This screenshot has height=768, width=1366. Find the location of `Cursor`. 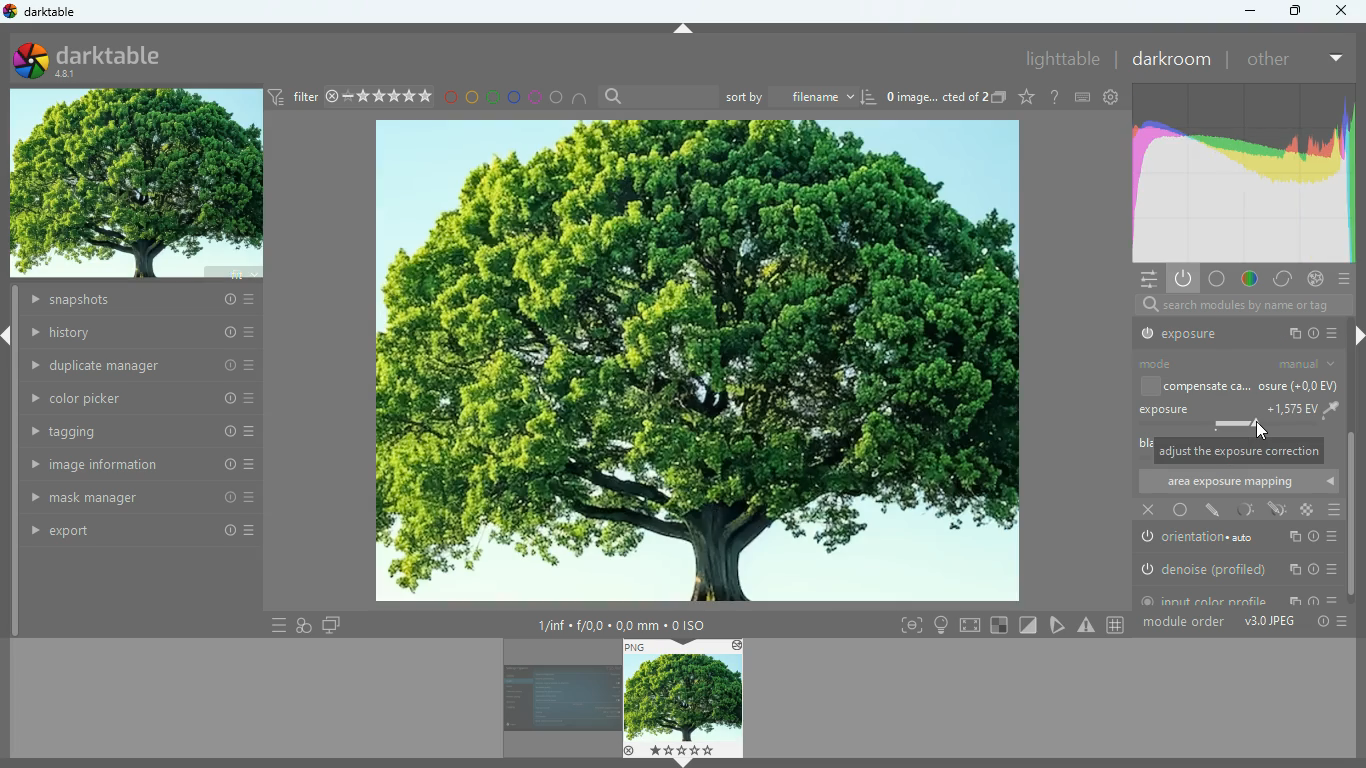

Cursor is located at coordinates (1262, 435).